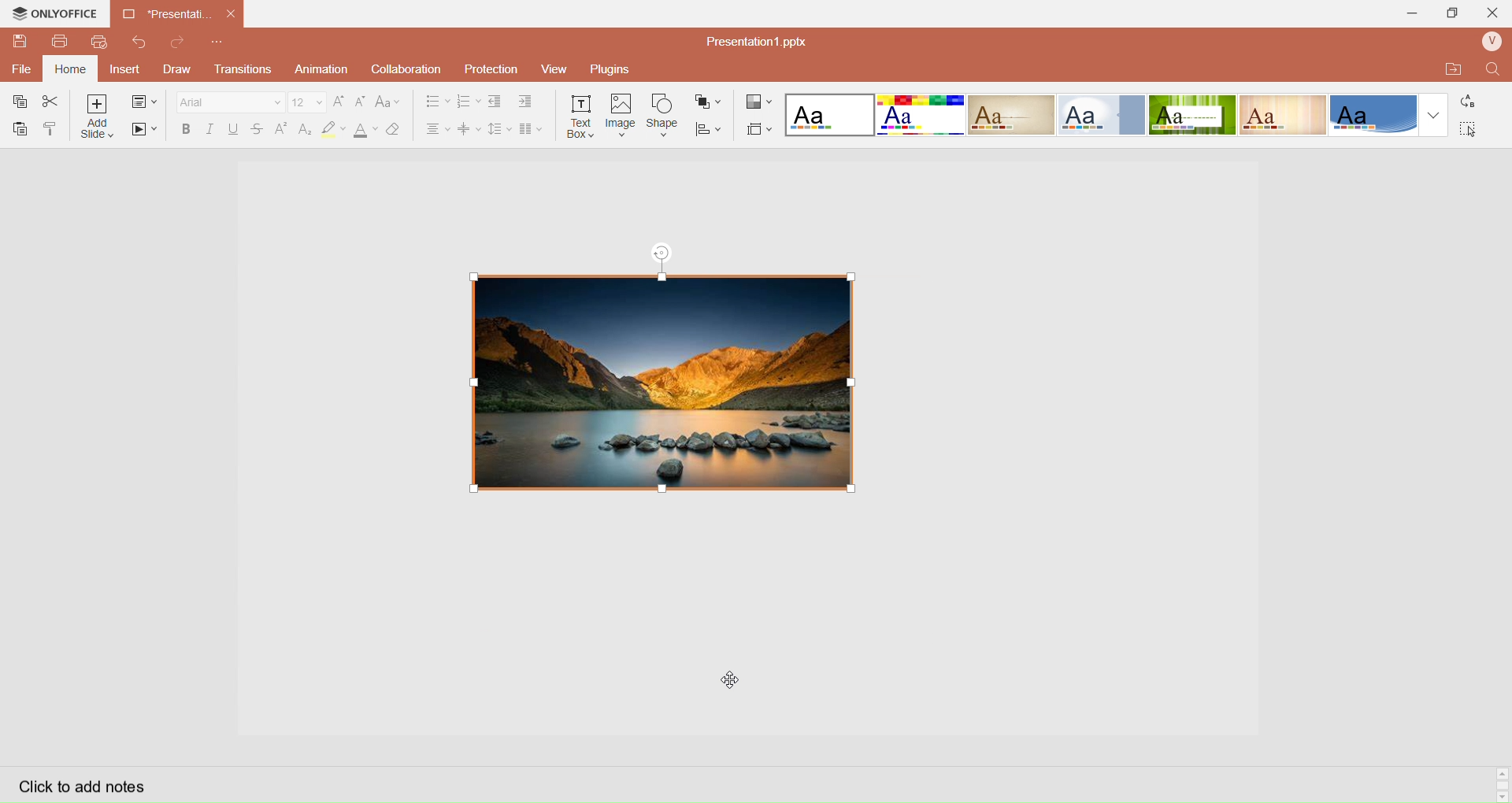 The width and height of the screenshot is (1512, 803). What do you see at coordinates (470, 129) in the screenshot?
I see `Vertical Align` at bounding box center [470, 129].